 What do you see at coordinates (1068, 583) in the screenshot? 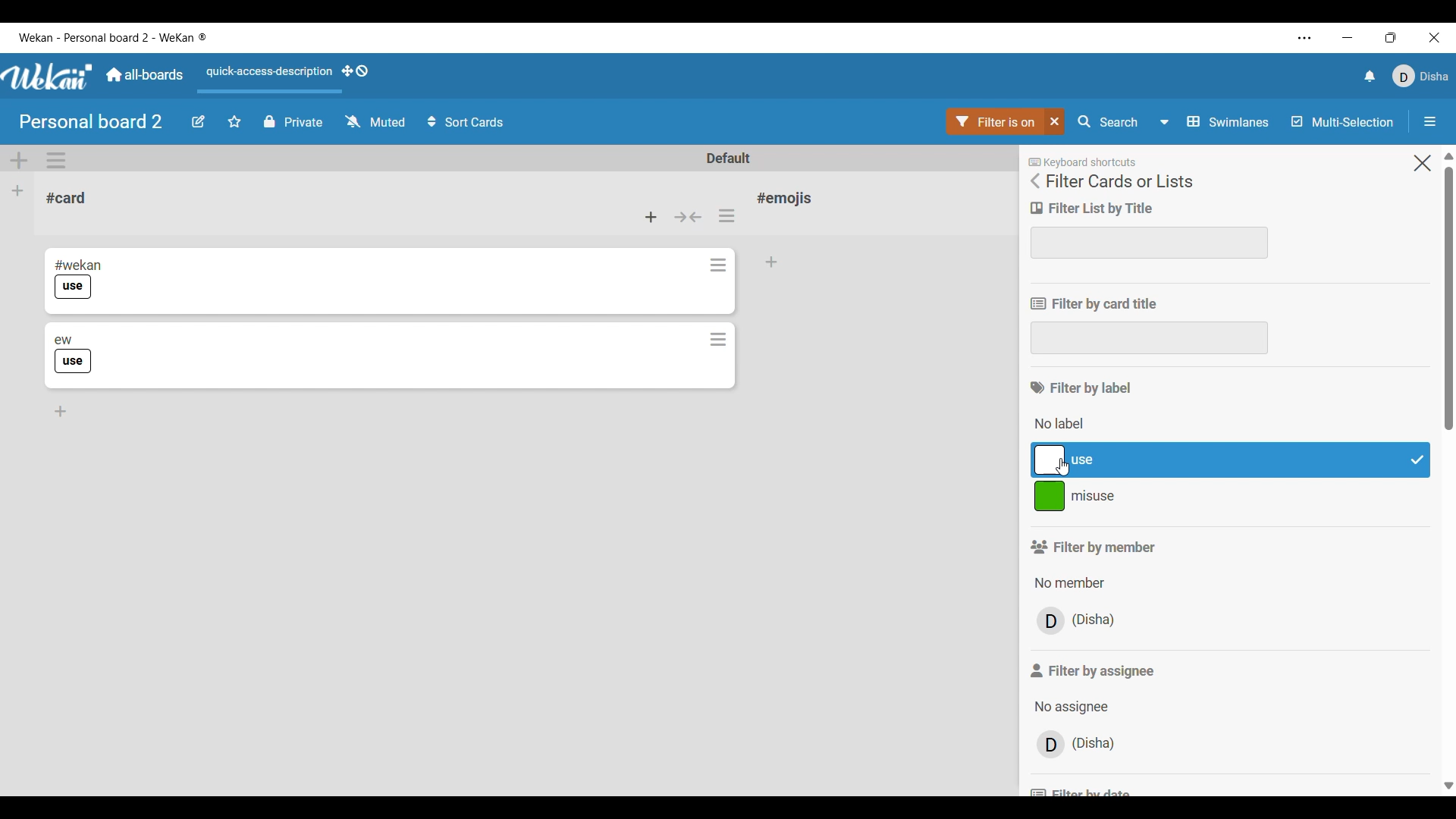
I see `Options under filter by member` at bounding box center [1068, 583].